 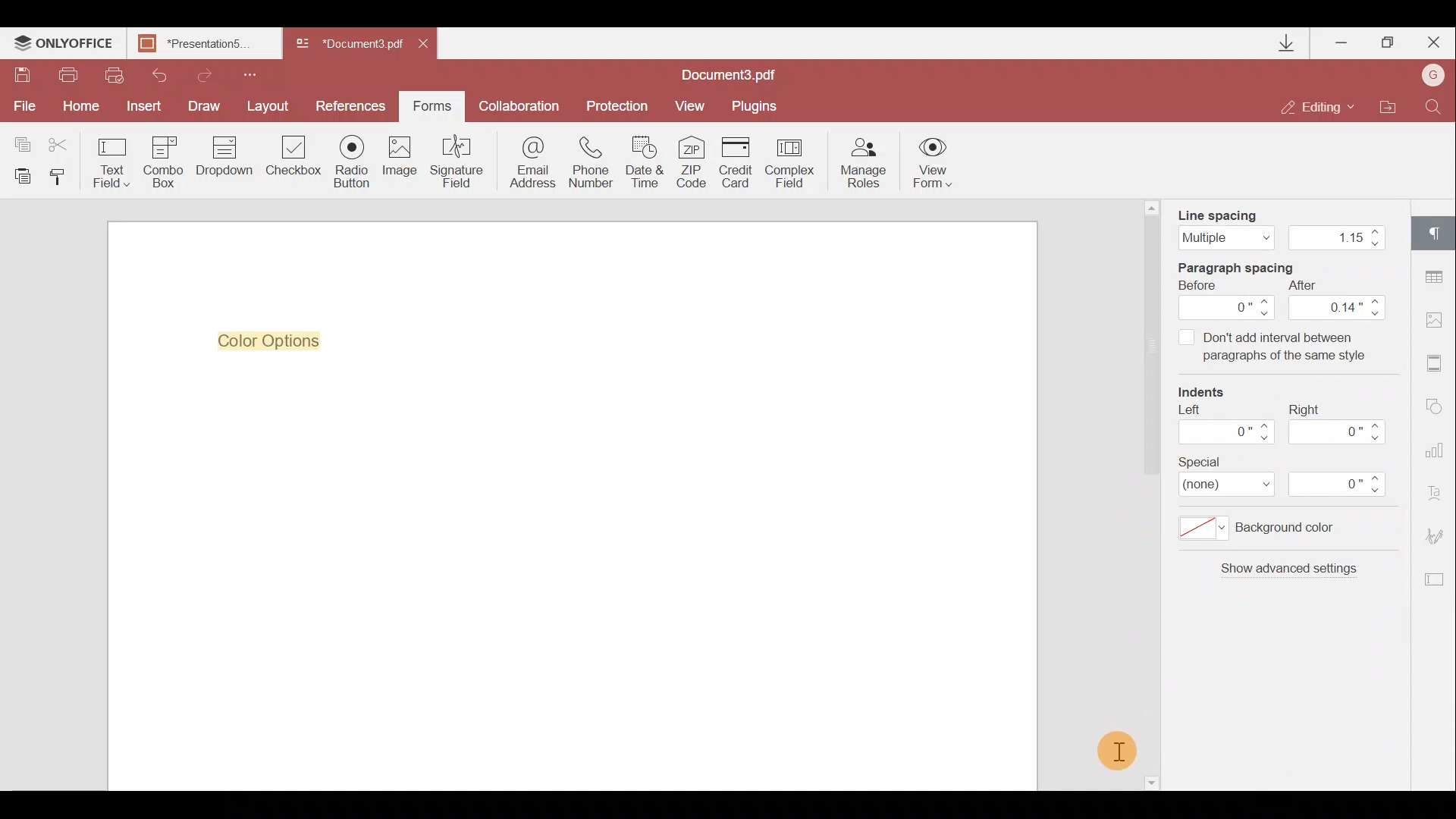 What do you see at coordinates (1283, 475) in the screenshot?
I see `Special` at bounding box center [1283, 475].